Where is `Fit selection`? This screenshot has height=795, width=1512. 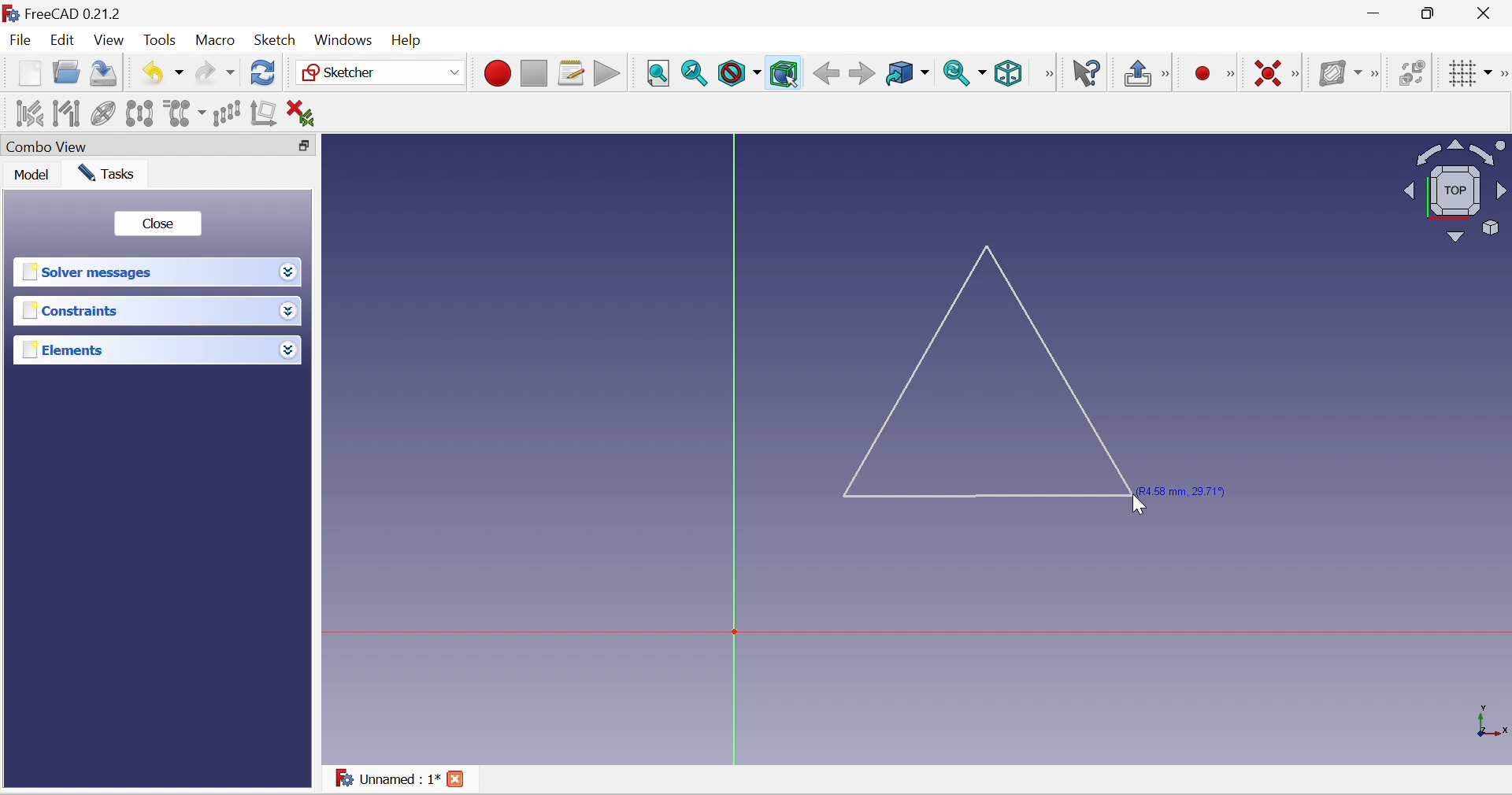 Fit selection is located at coordinates (695, 74).